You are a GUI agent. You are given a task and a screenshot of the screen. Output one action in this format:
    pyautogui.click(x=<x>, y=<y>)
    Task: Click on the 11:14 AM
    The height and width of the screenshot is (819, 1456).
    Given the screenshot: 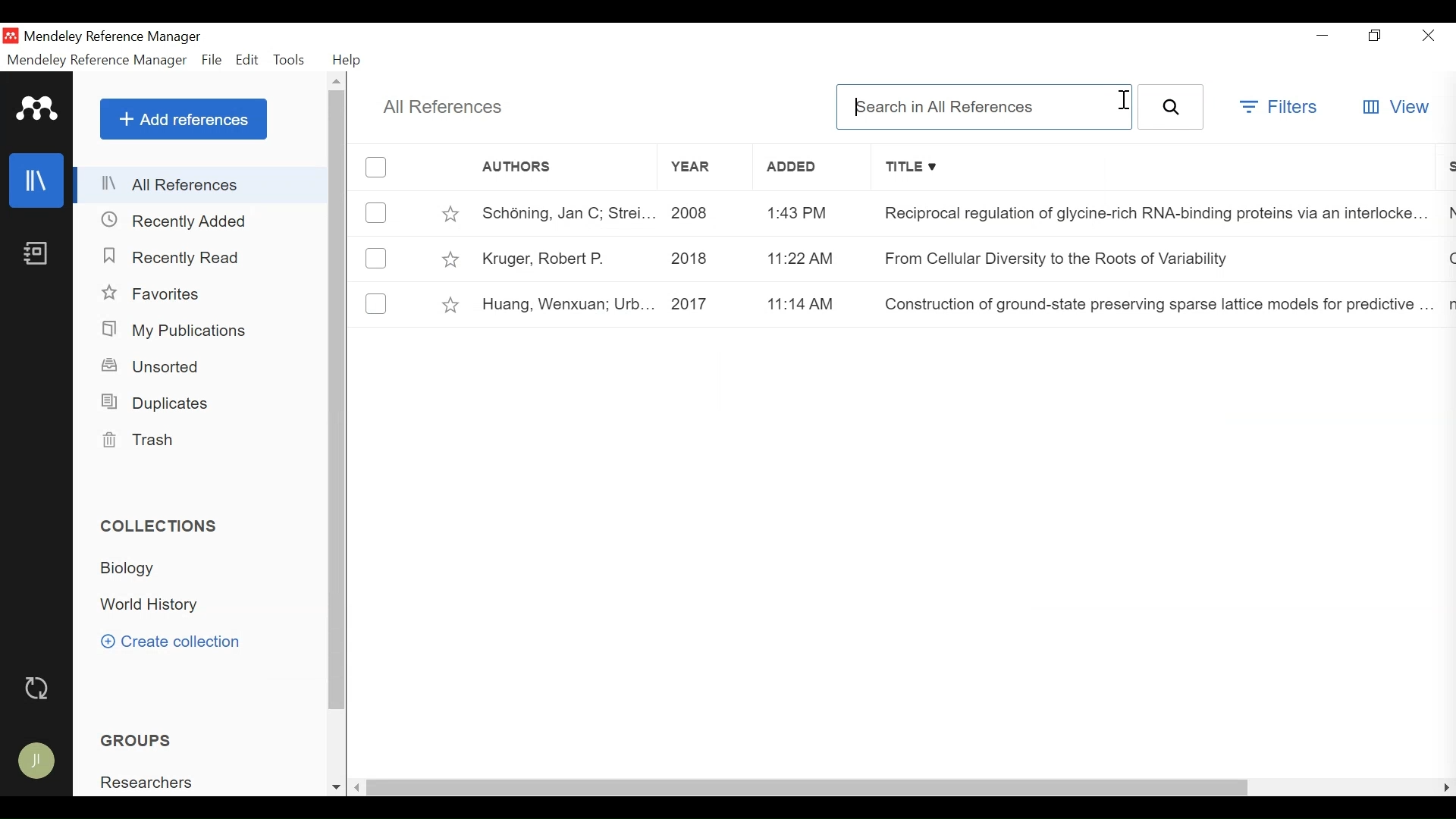 What is the action you would take?
    pyautogui.click(x=816, y=304)
    